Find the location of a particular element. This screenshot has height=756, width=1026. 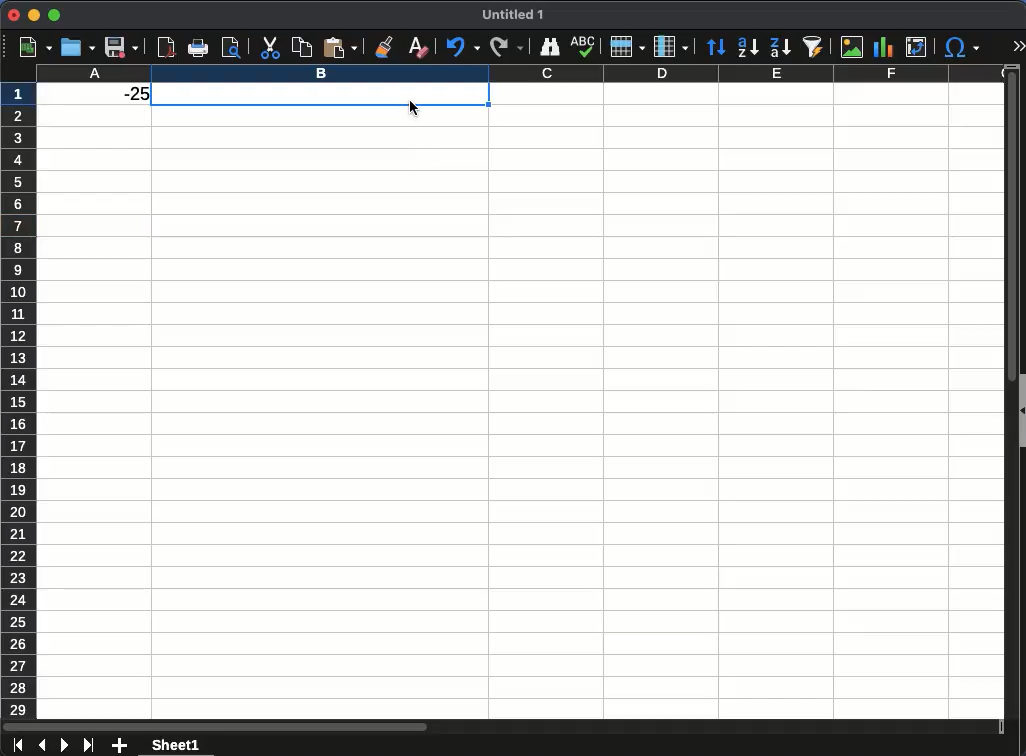

first sheet is located at coordinates (19, 746).